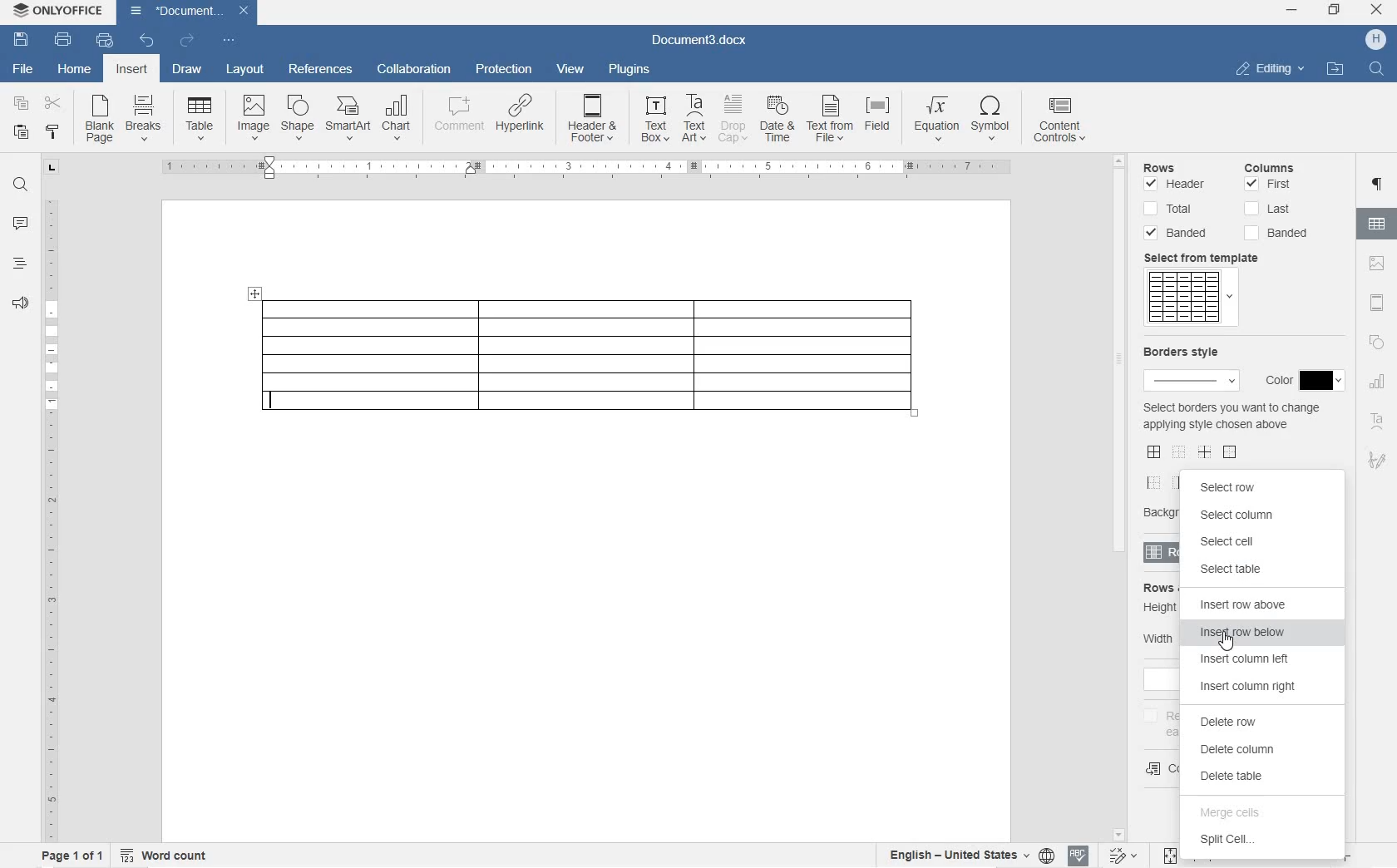  Describe the element at coordinates (1254, 659) in the screenshot. I see `insert column left` at that location.